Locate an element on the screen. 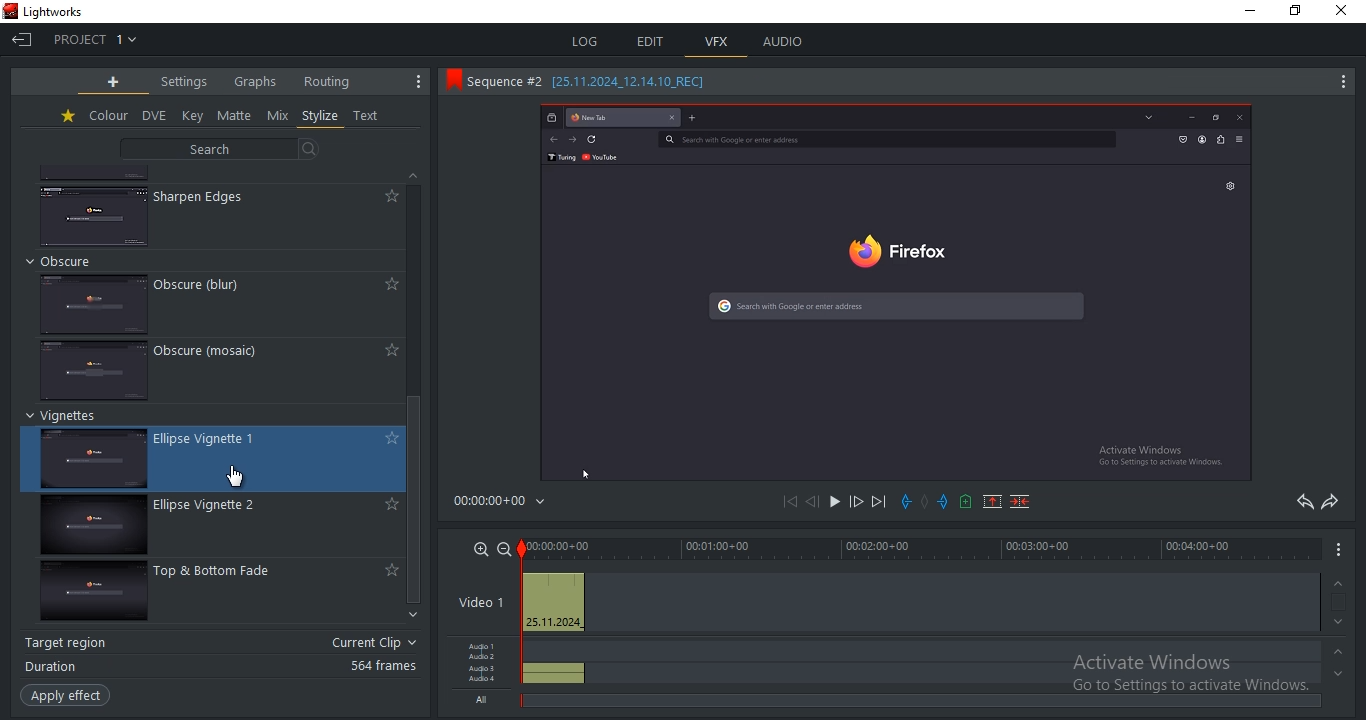 The image size is (1366, 720). Video clip details is located at coordinates (554, 604).